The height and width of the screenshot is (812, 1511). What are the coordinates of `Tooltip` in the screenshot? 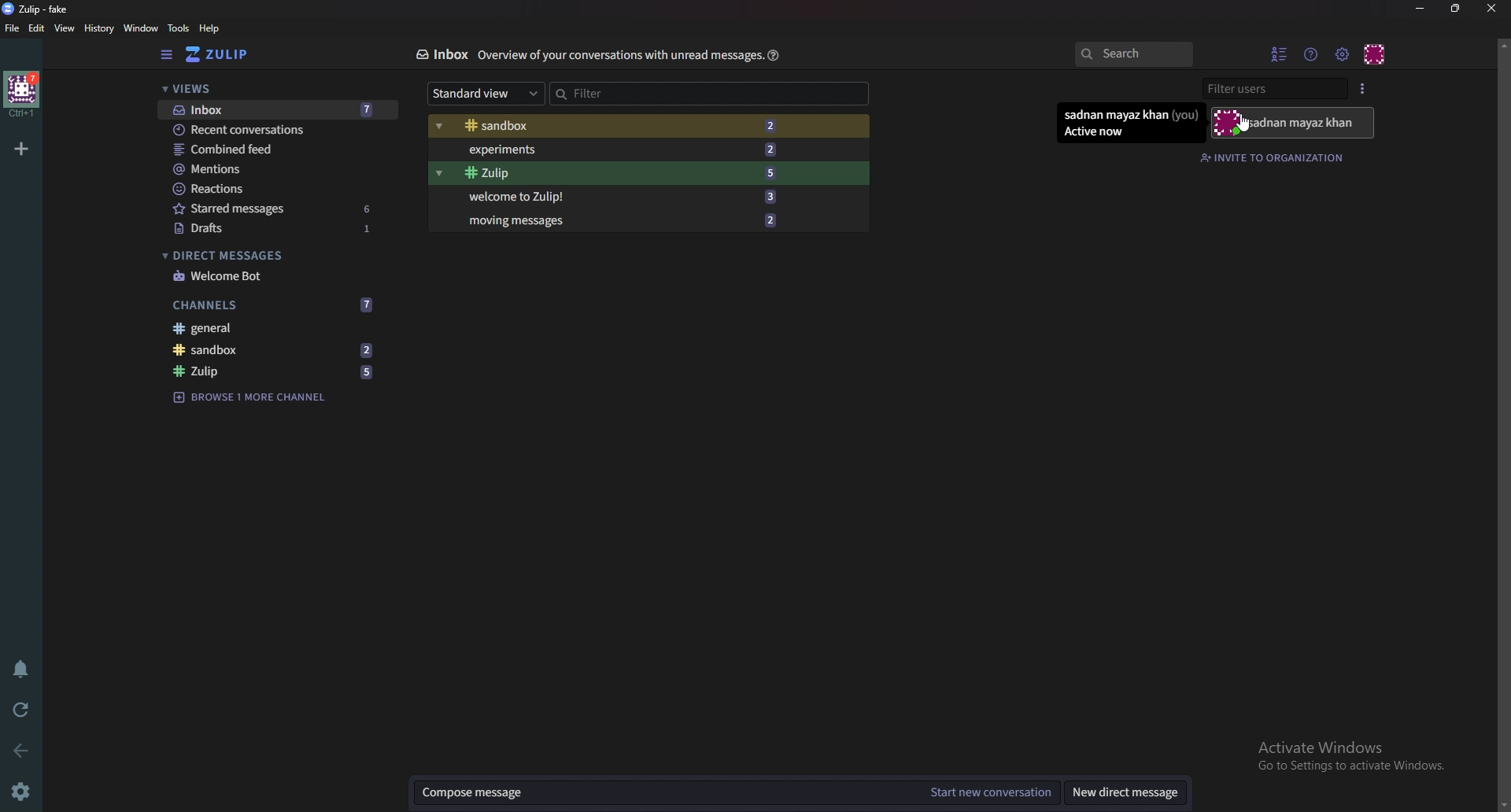 It's located at (1130, 124).